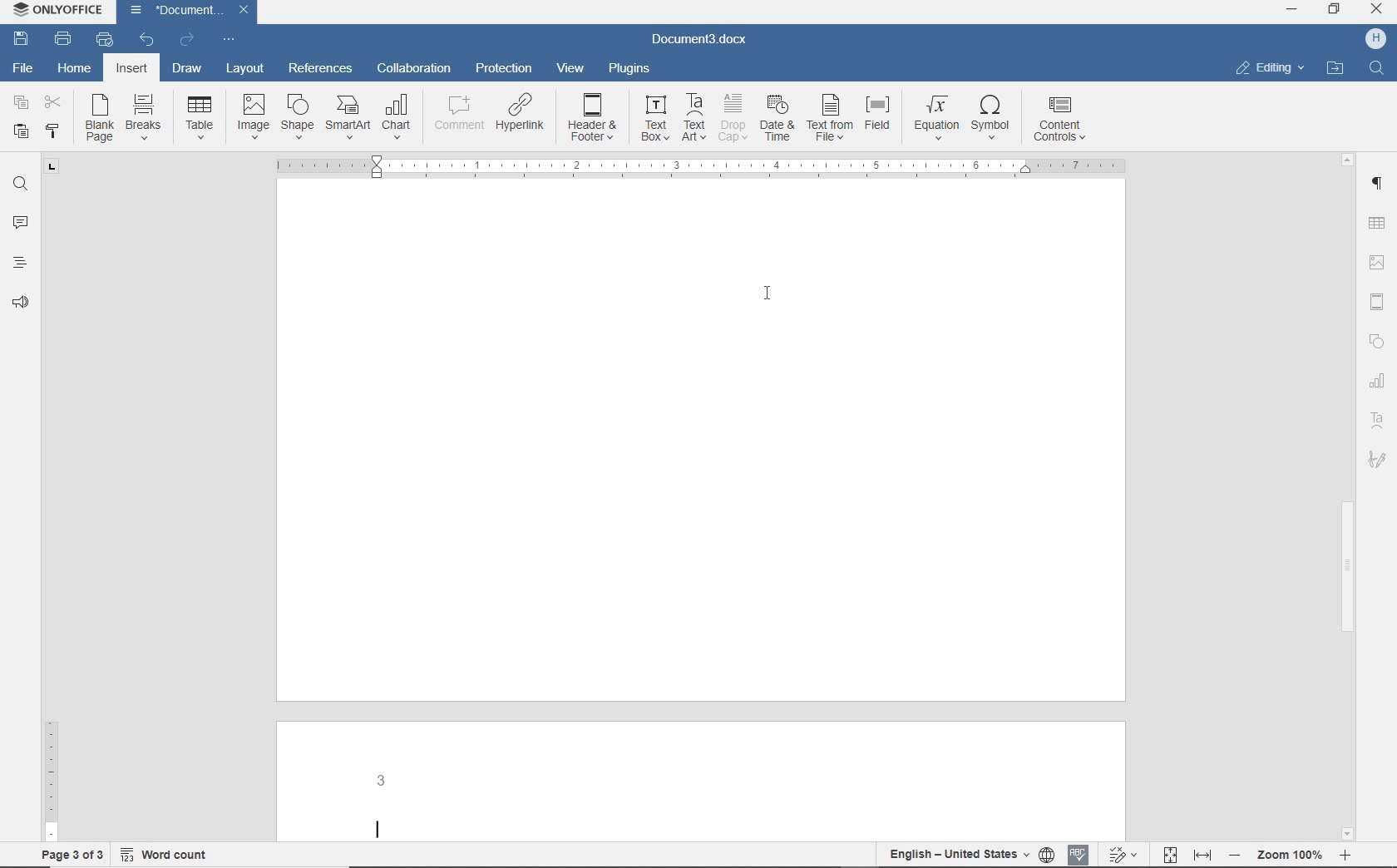 Image resolution: width=1397 pixels, height=868 pixels. I want to click on Customize quick access toolbar, so click(233, 37).